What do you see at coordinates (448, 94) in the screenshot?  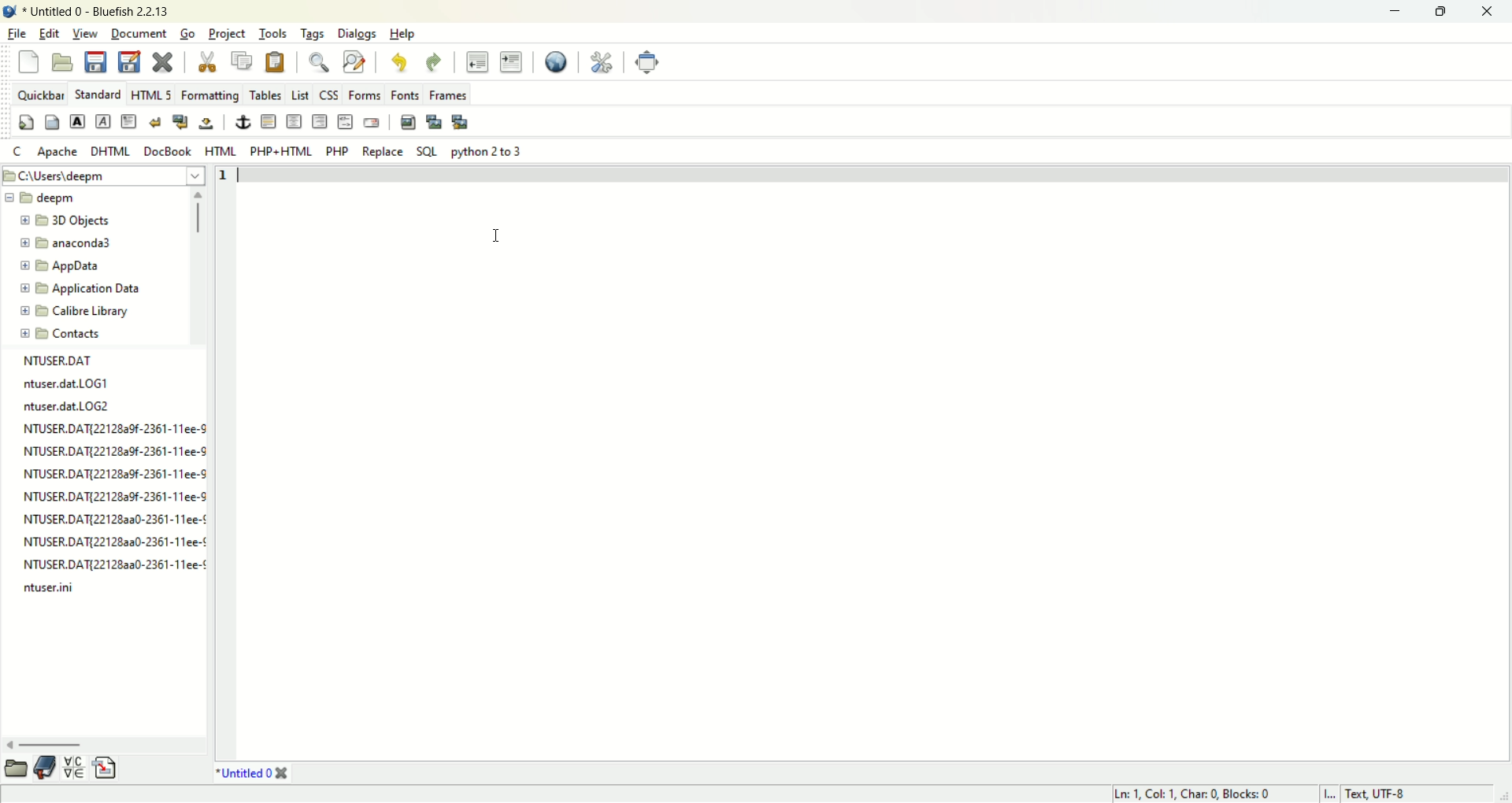 I see `frames` at bounding box center [448, 94].